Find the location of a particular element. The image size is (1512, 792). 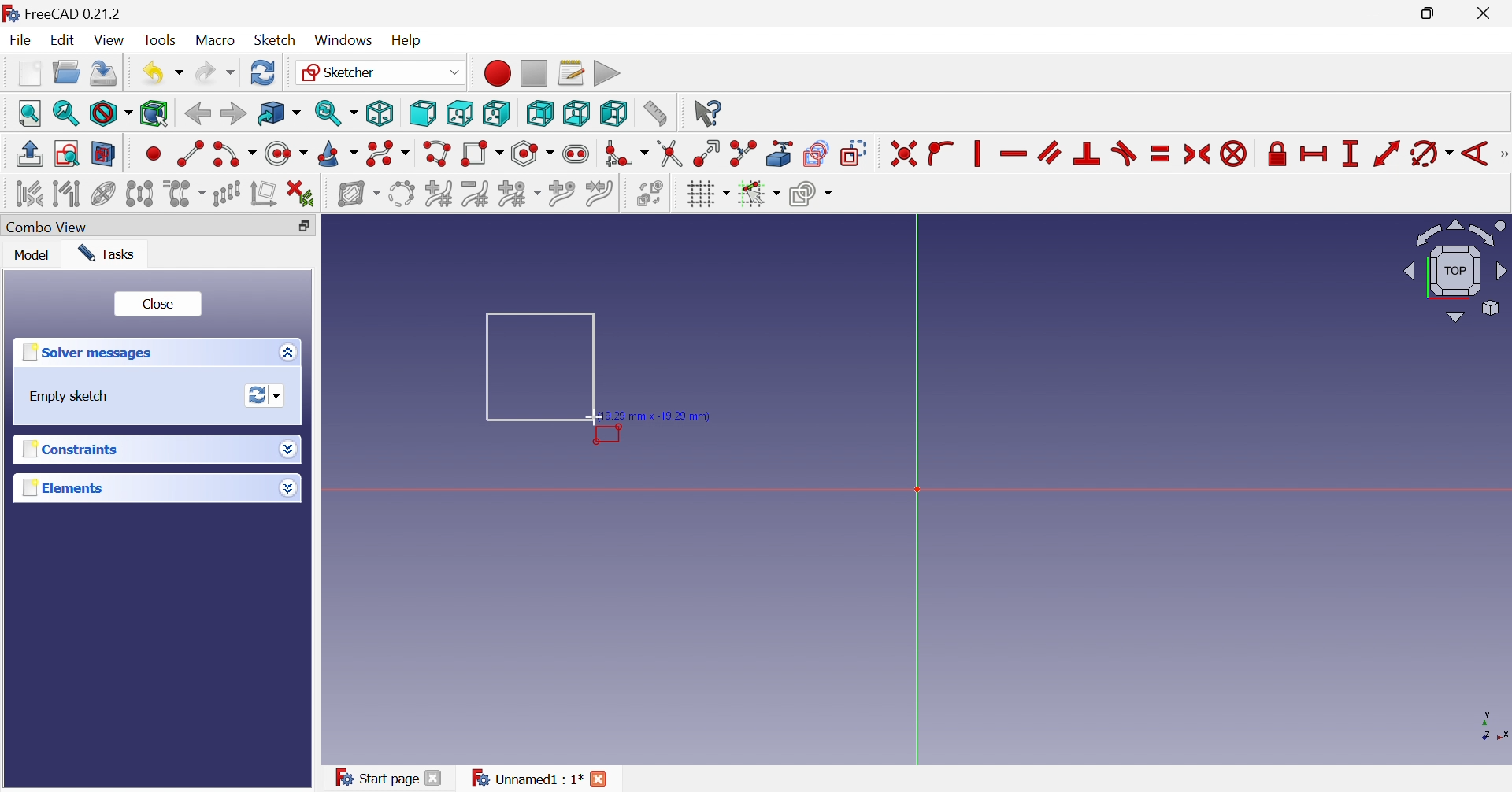

Combo view is located at coordinates (53, 228).